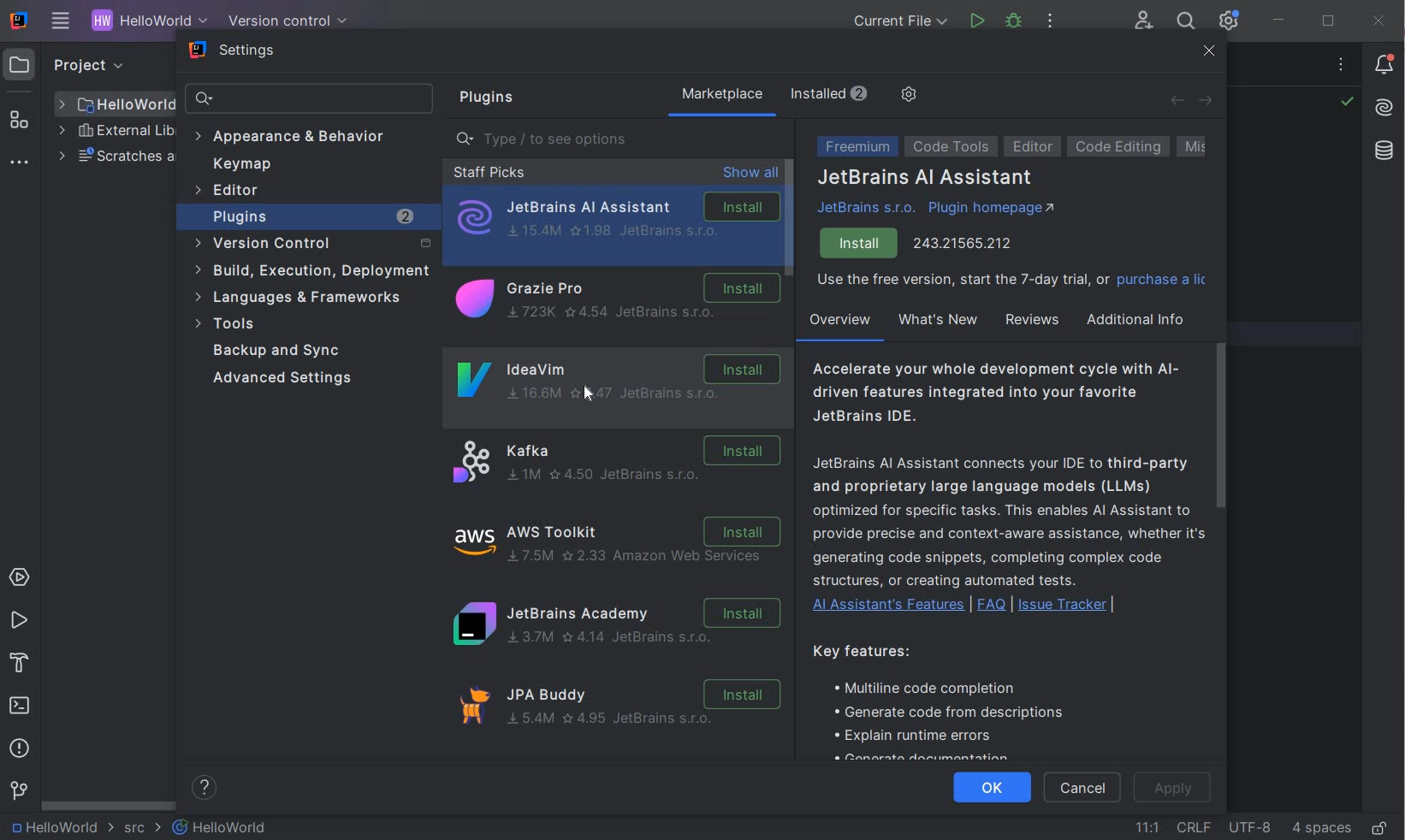  I want to click on version control, so click(310, 244).